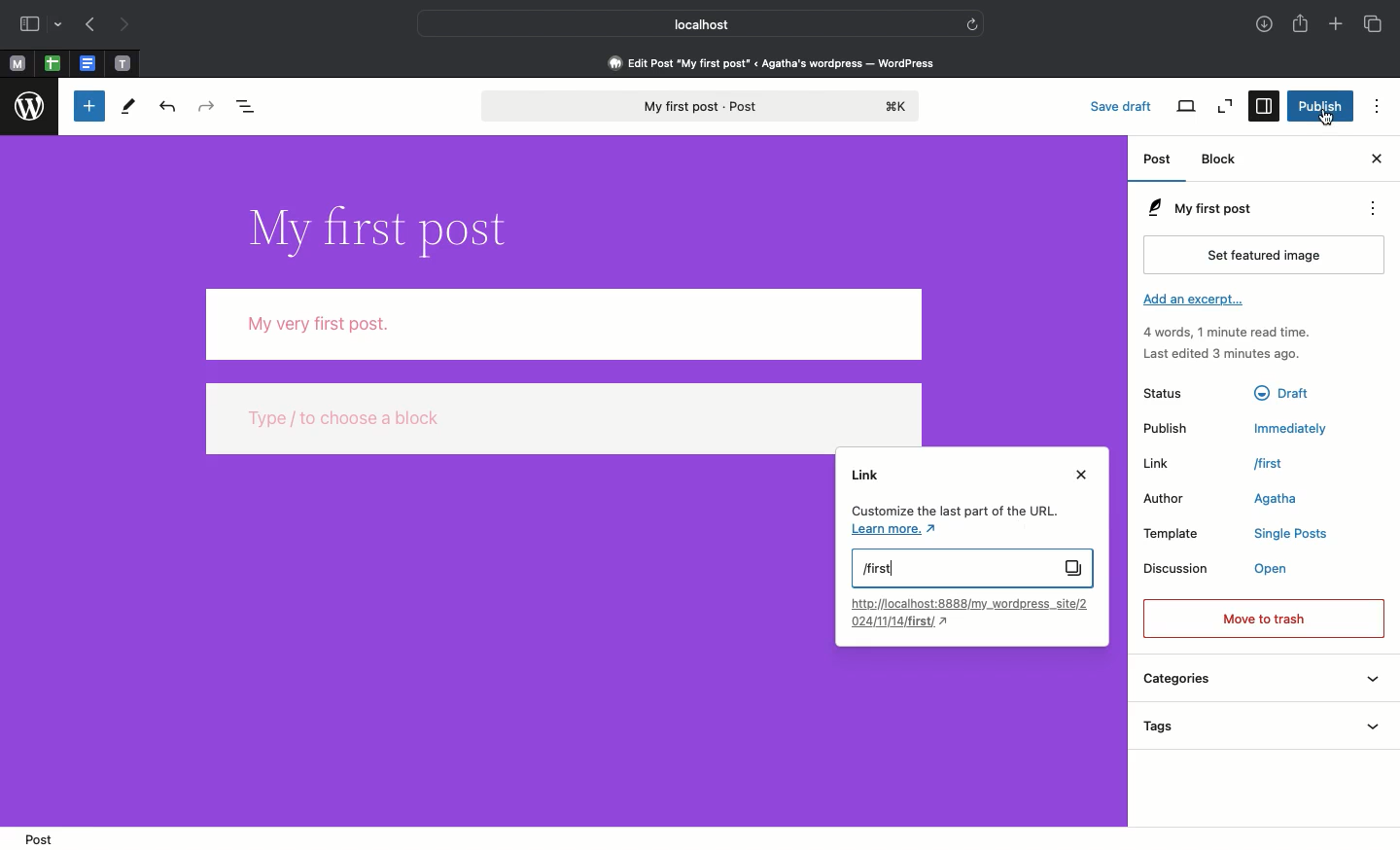 This screenshot has width=1400, height=850. I want to click on Body, so click(565, 324).